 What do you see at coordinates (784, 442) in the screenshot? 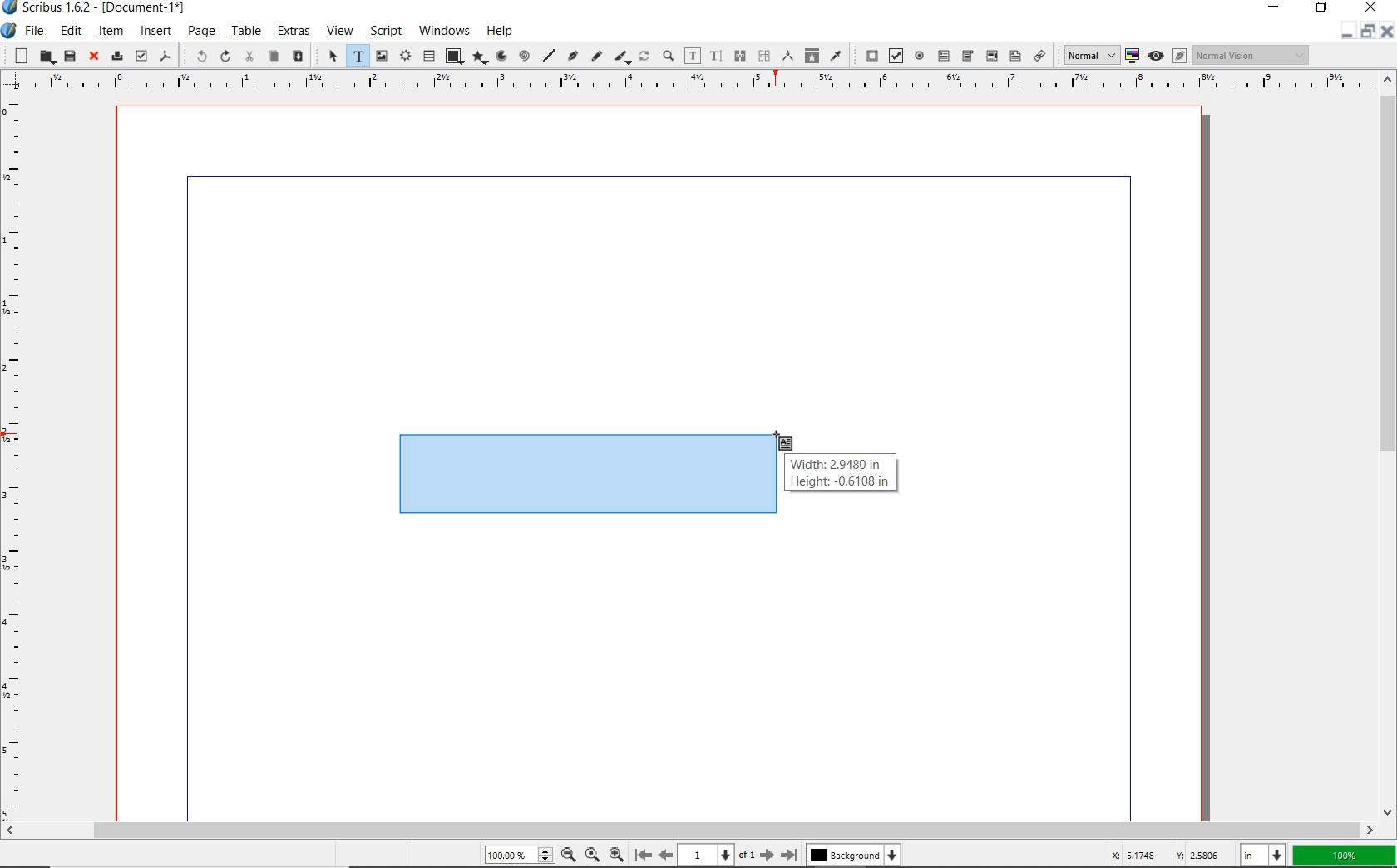
I see `Cursor` at bounding box center [784, 442].